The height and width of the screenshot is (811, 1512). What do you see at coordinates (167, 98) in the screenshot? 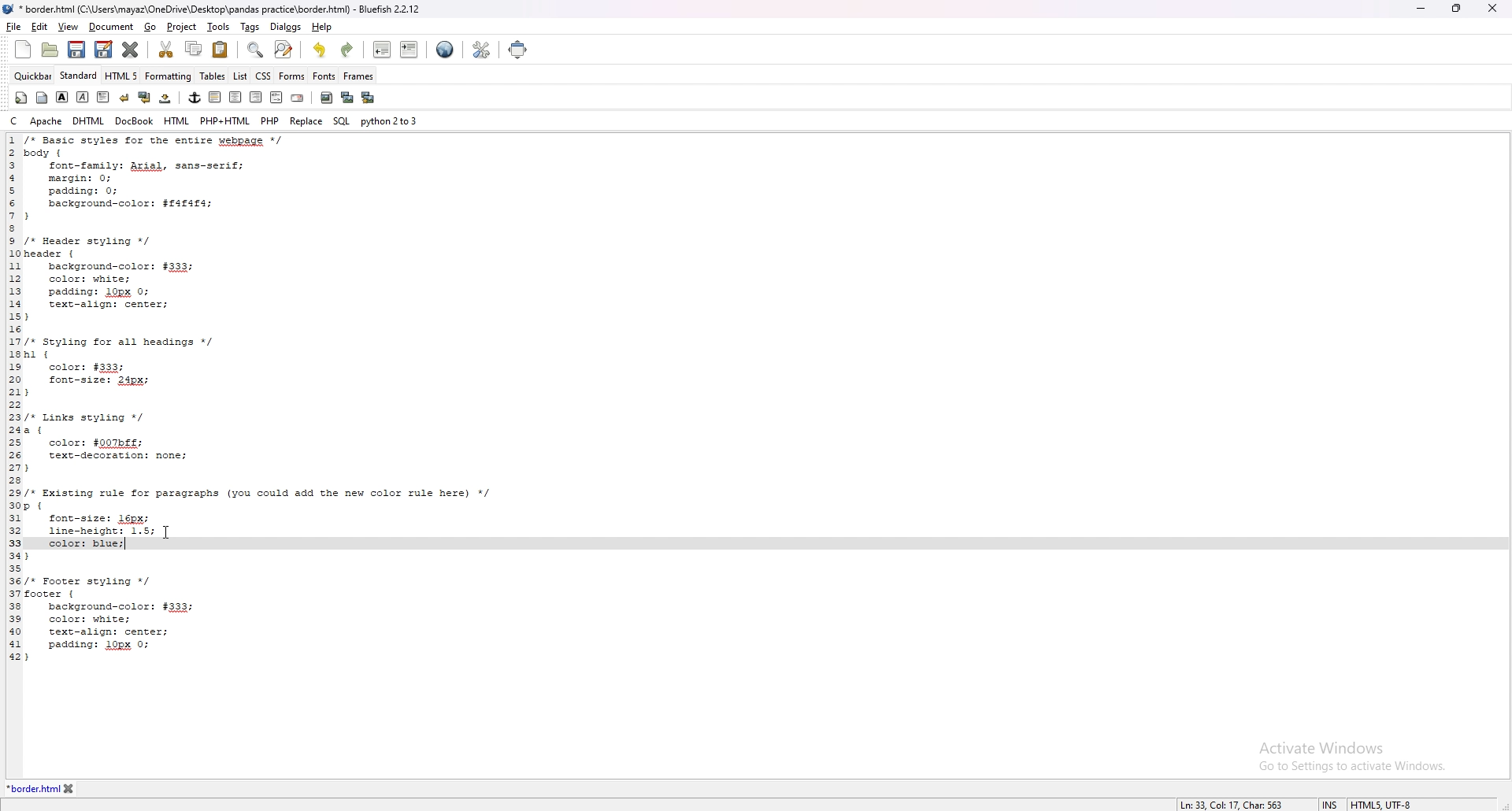
I see `non breaking space` at bounding box center [167, 98].